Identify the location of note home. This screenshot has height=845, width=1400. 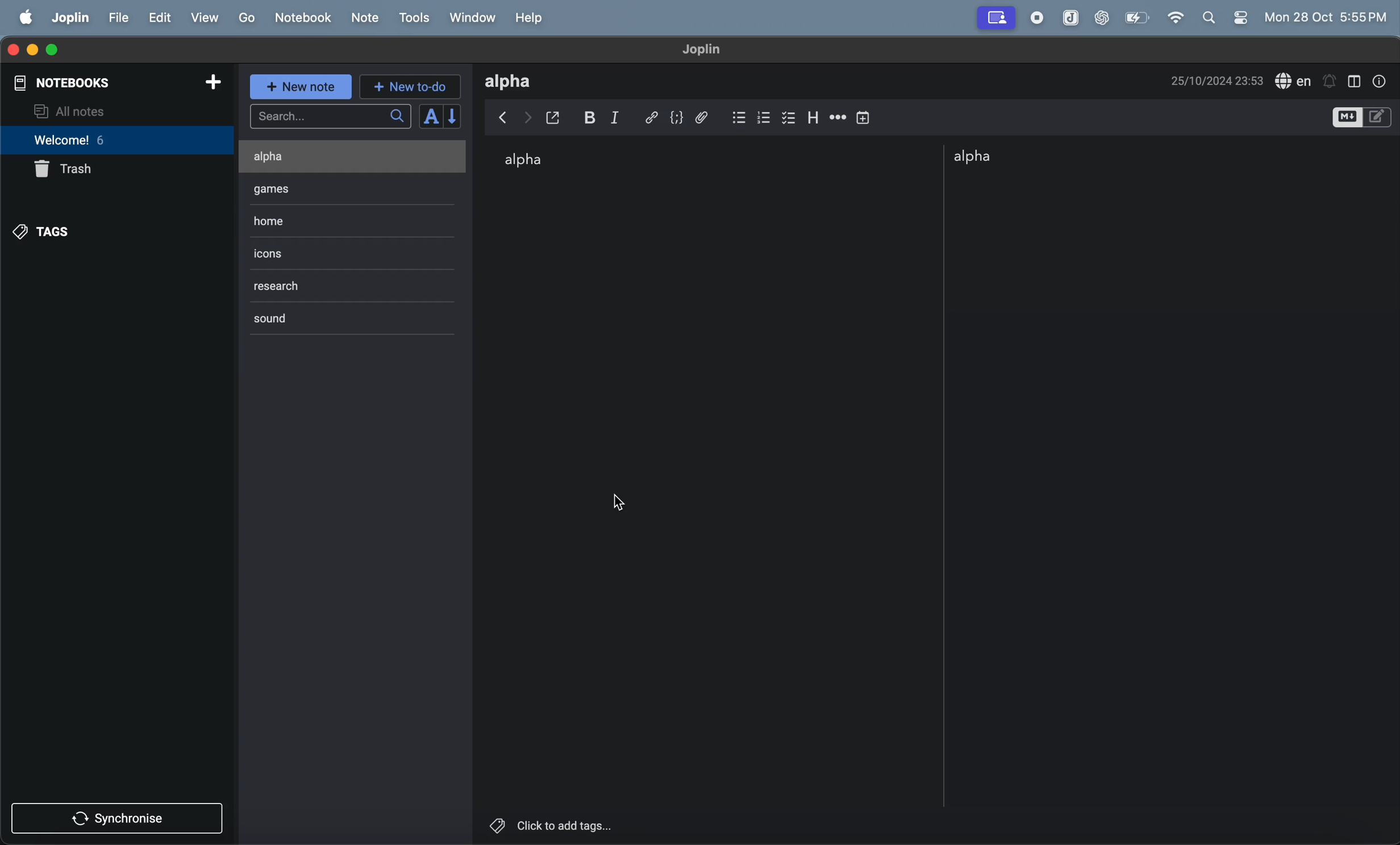
(333, 221).